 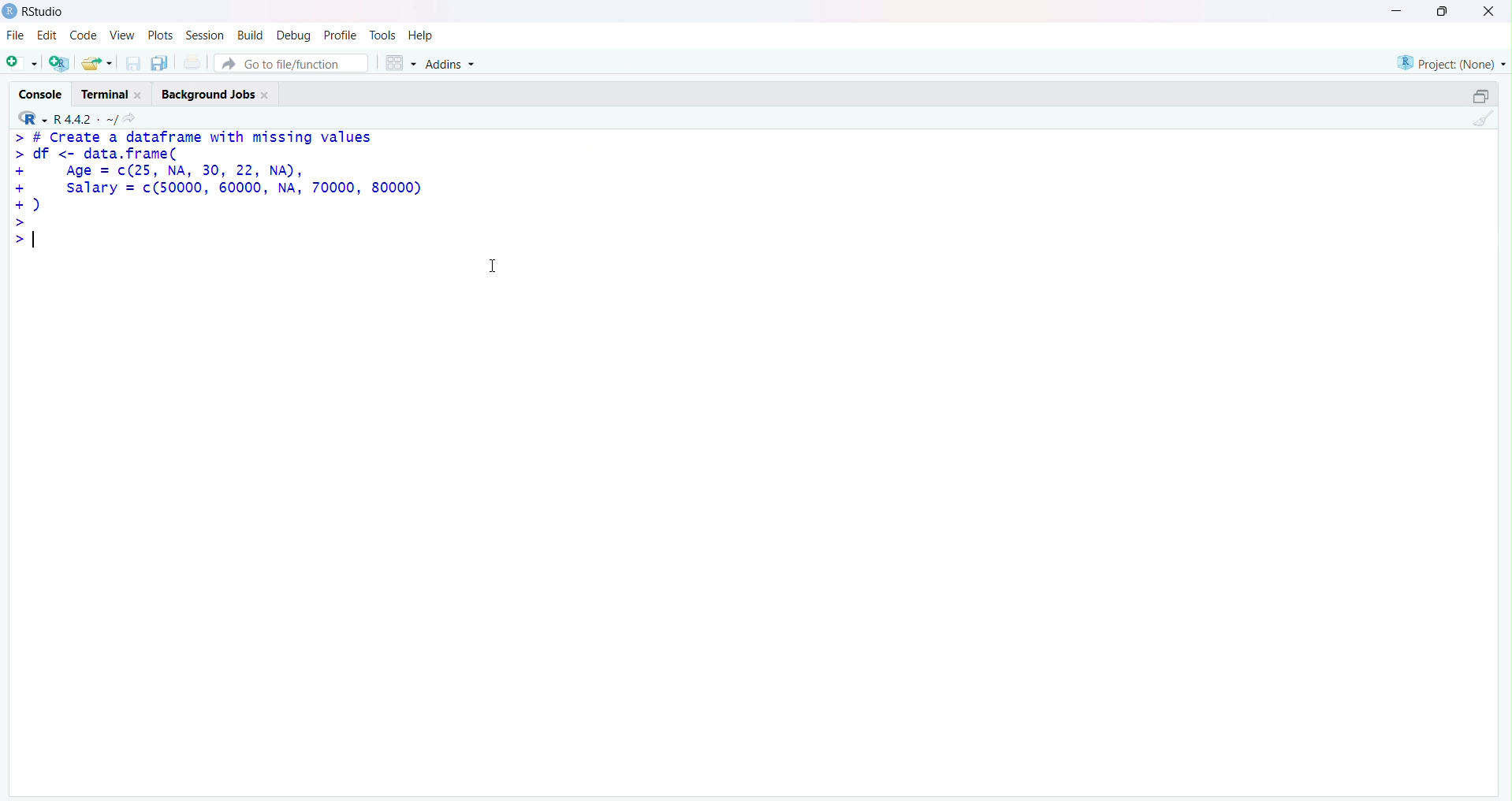 What do you see at coordinates (43, 92) in the screenshot?
I see `Console` at bounding box center [43, 92].